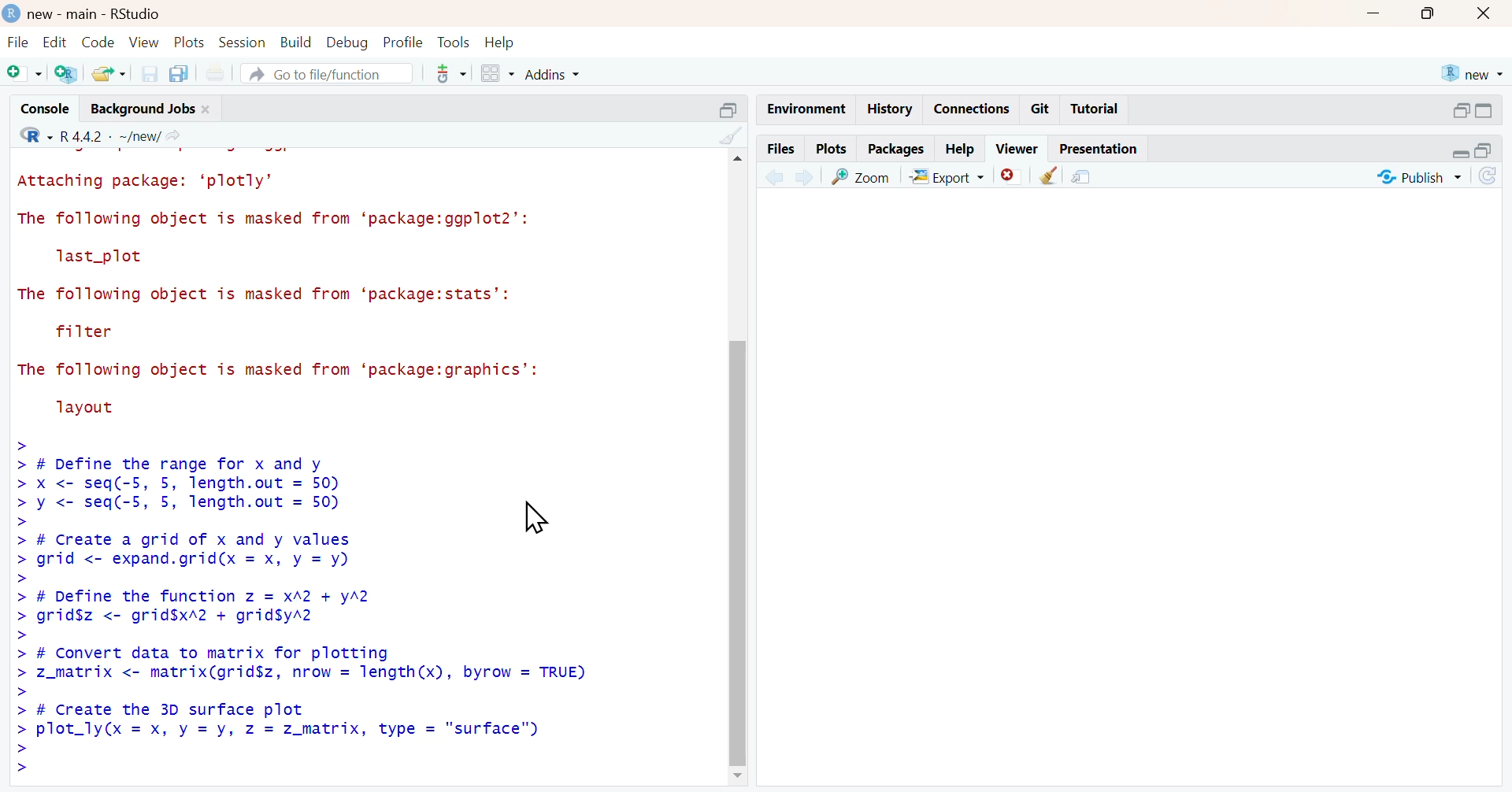 The image size is (1512, 792). What do you see at coordinates (103, 257) in the screenshot?
I see `last_plot` at bounding box center [103, 257].